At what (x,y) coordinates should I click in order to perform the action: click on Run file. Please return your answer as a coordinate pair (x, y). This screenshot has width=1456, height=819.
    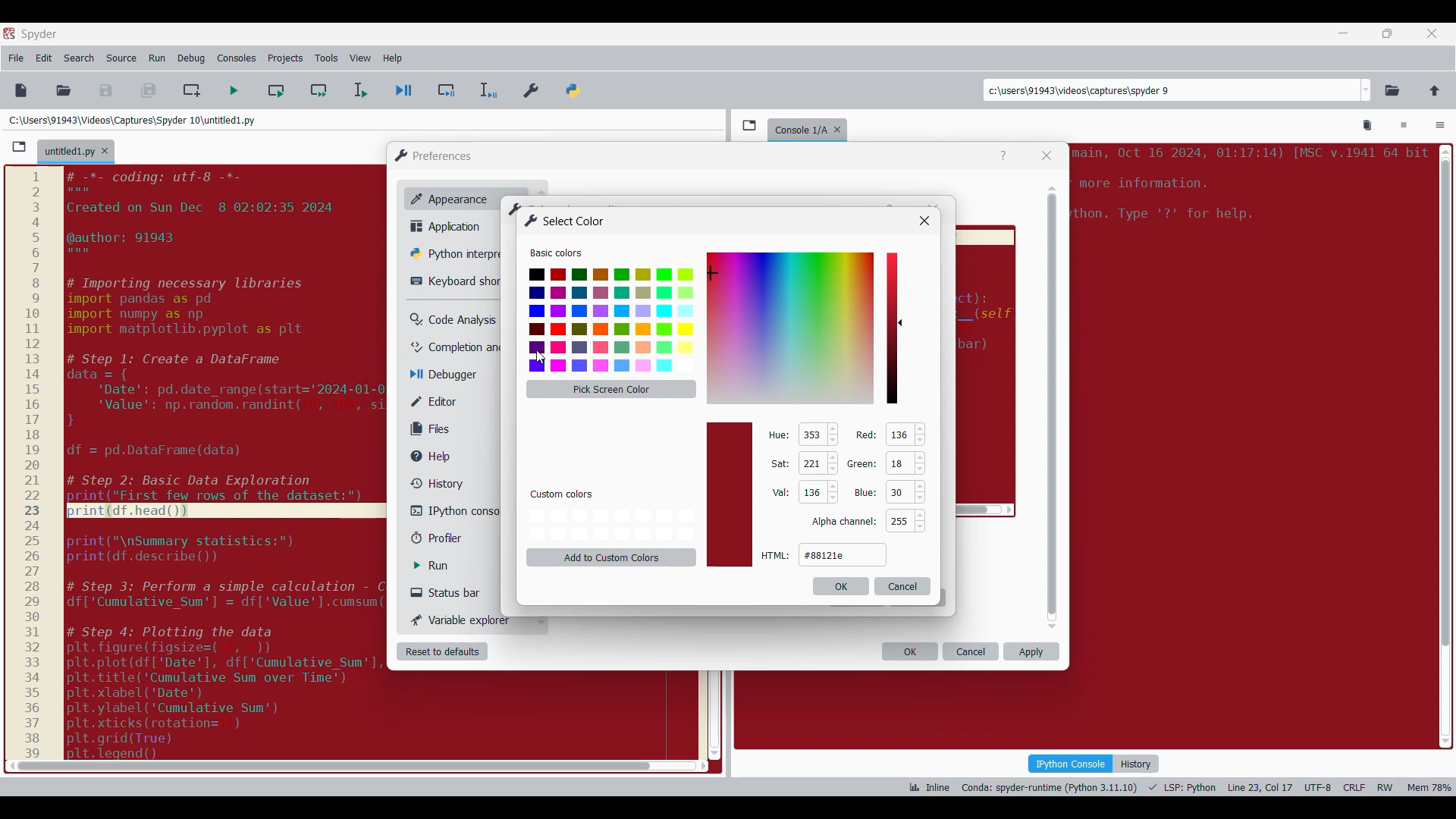
    Looking at the image, I should click on (234, 90).